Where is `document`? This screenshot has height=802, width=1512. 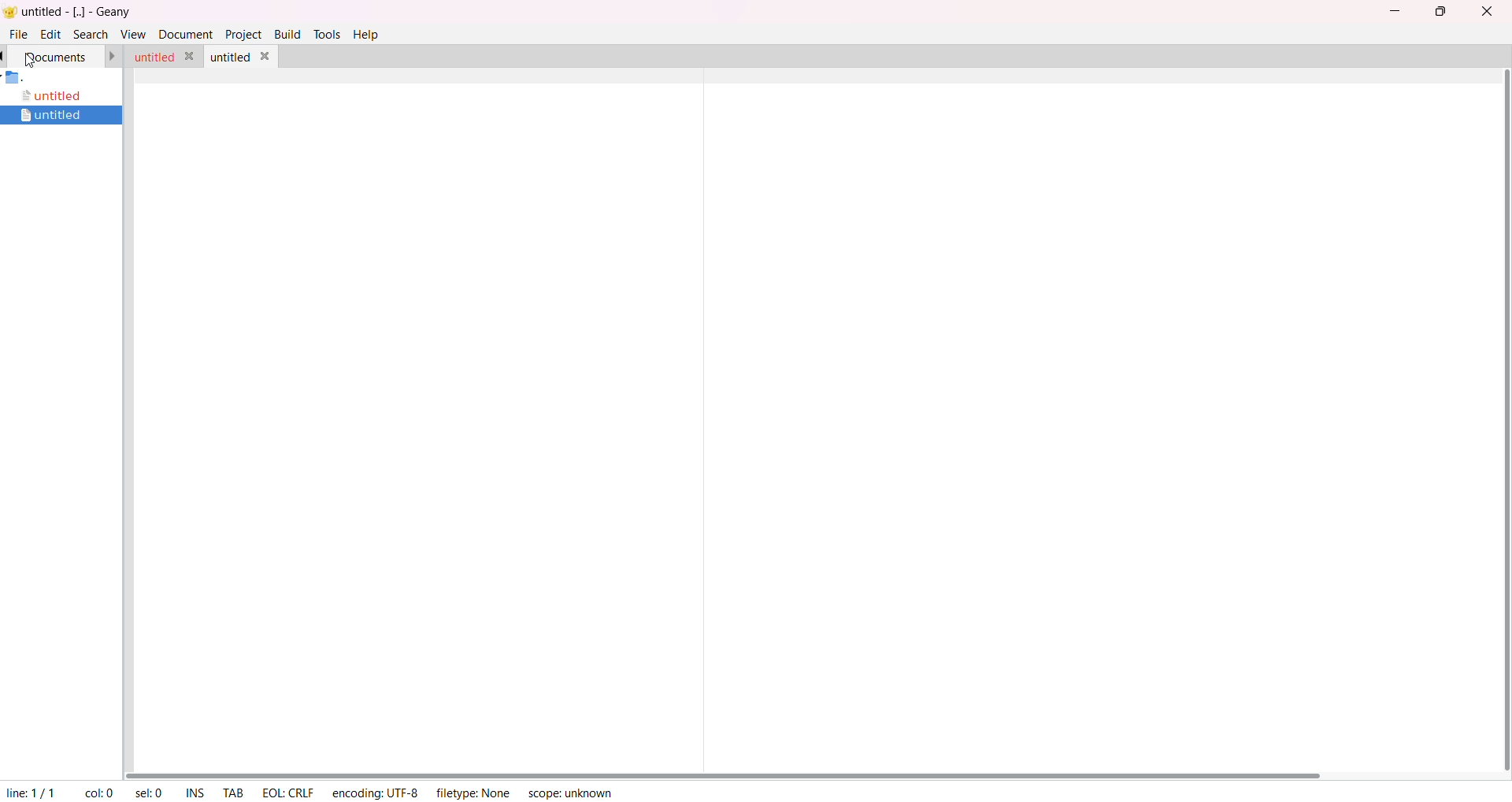
document is located at coordinates (185, 33).